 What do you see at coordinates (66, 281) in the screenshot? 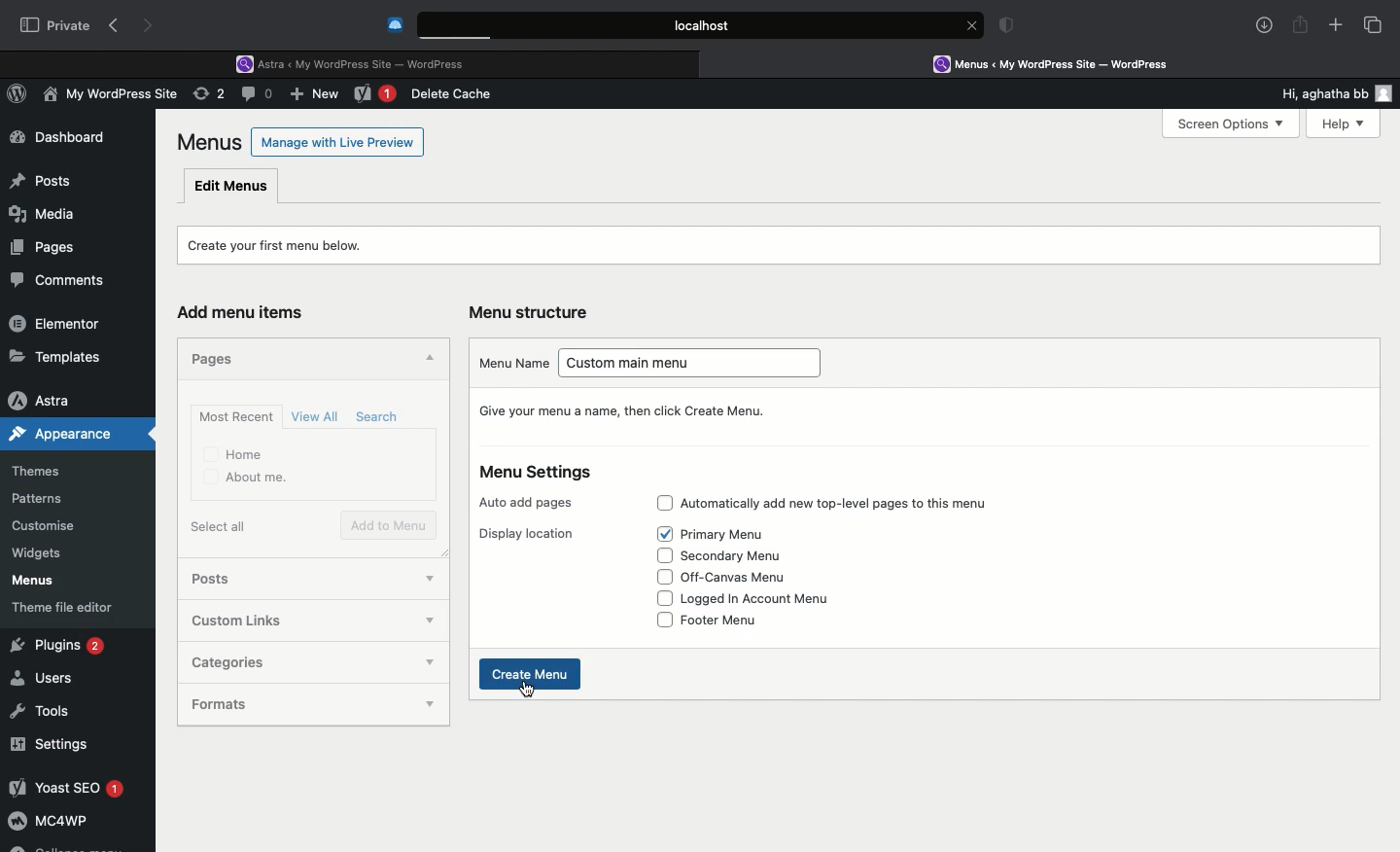
I see `Comments` at bounding box center [66, 281].